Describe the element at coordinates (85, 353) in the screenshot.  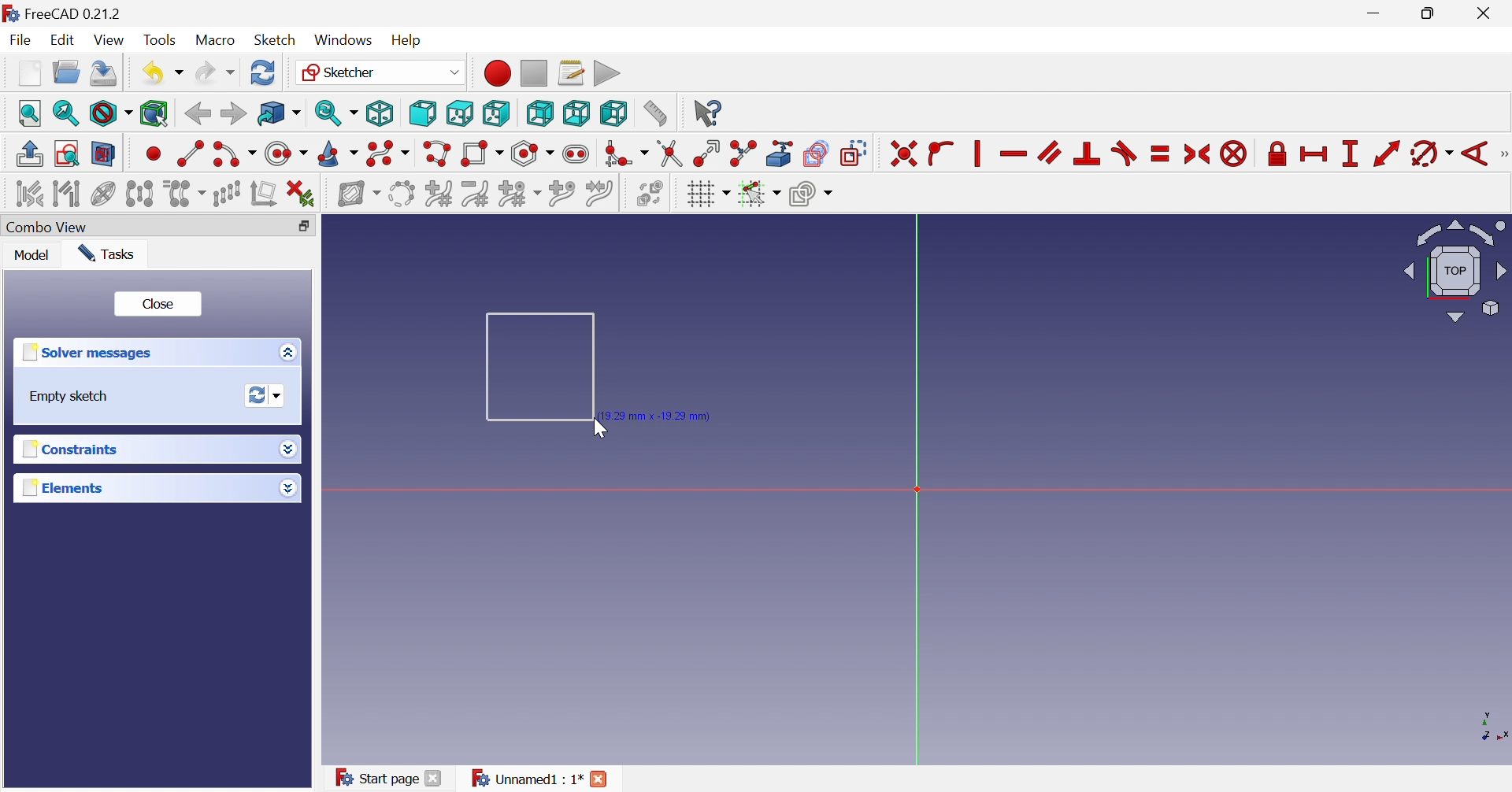
I see `Solver messages` at that location.